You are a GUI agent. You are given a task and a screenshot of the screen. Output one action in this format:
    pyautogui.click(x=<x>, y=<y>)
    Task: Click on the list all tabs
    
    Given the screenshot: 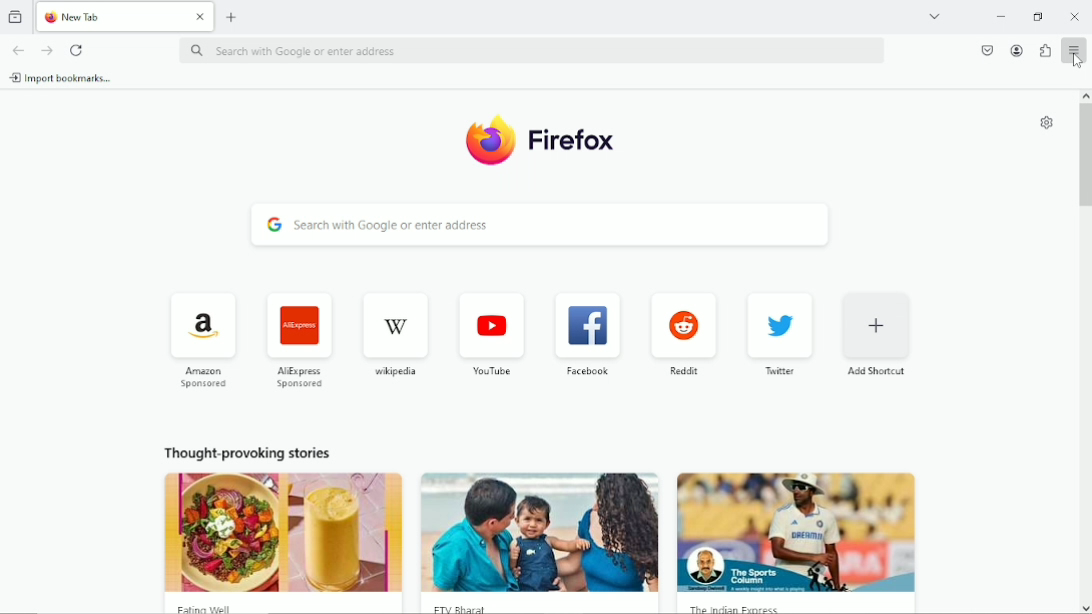 What is the action you would take?
    pyautogui.click(x=935, y=14)
    